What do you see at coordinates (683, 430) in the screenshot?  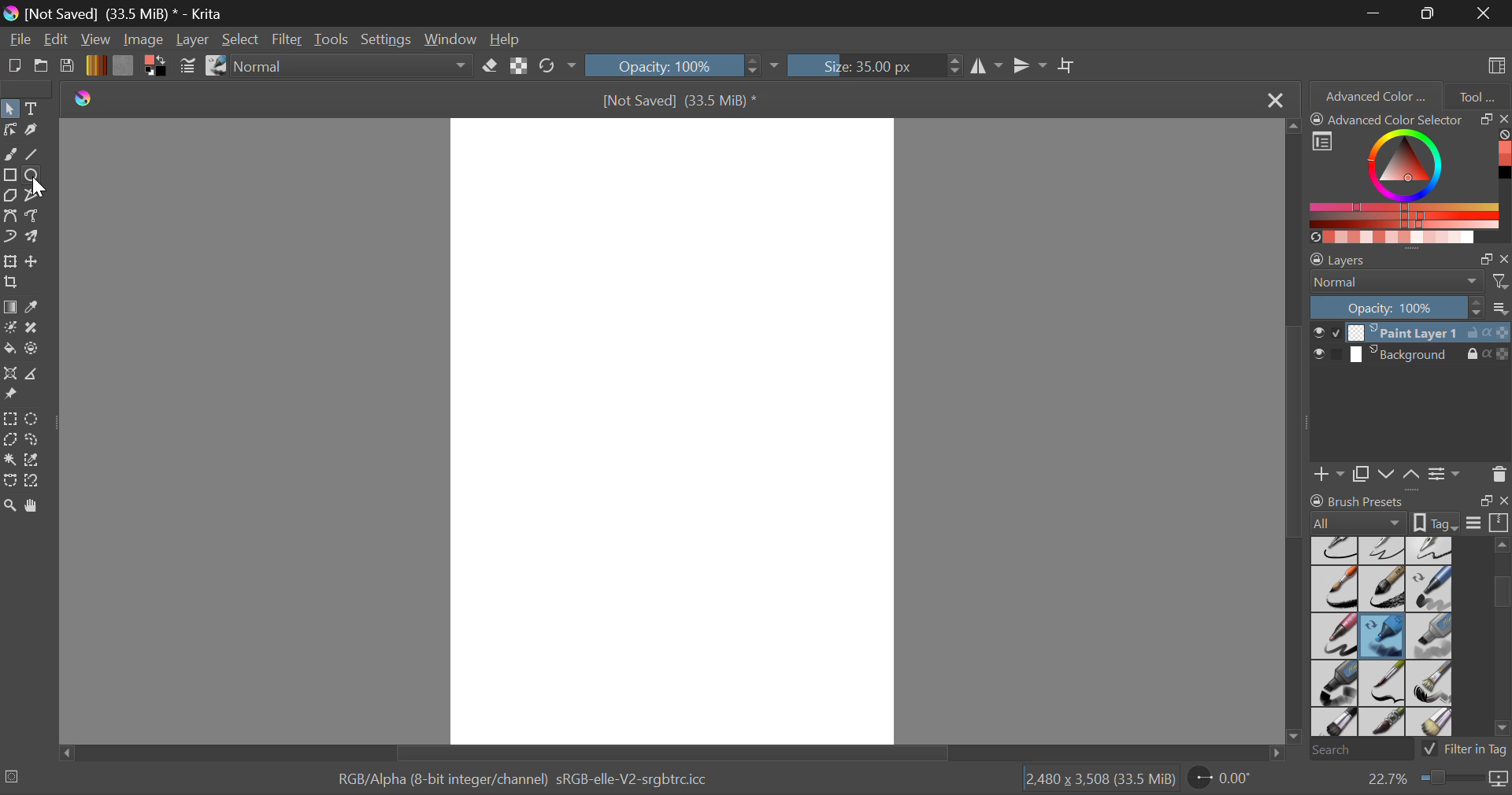 I see `Document Workspace` at bounding box center [683, 430].